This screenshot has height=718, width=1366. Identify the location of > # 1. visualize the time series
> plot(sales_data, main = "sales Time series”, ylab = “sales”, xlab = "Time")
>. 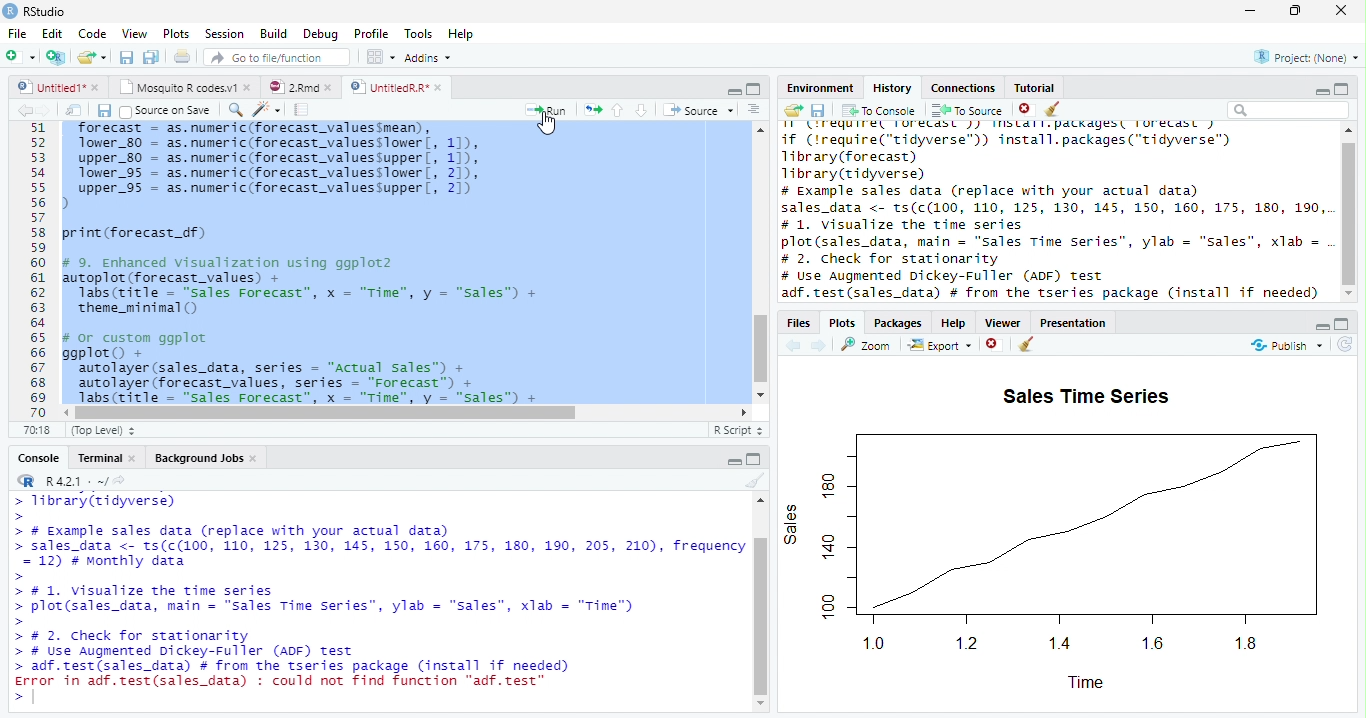
(334, 606).